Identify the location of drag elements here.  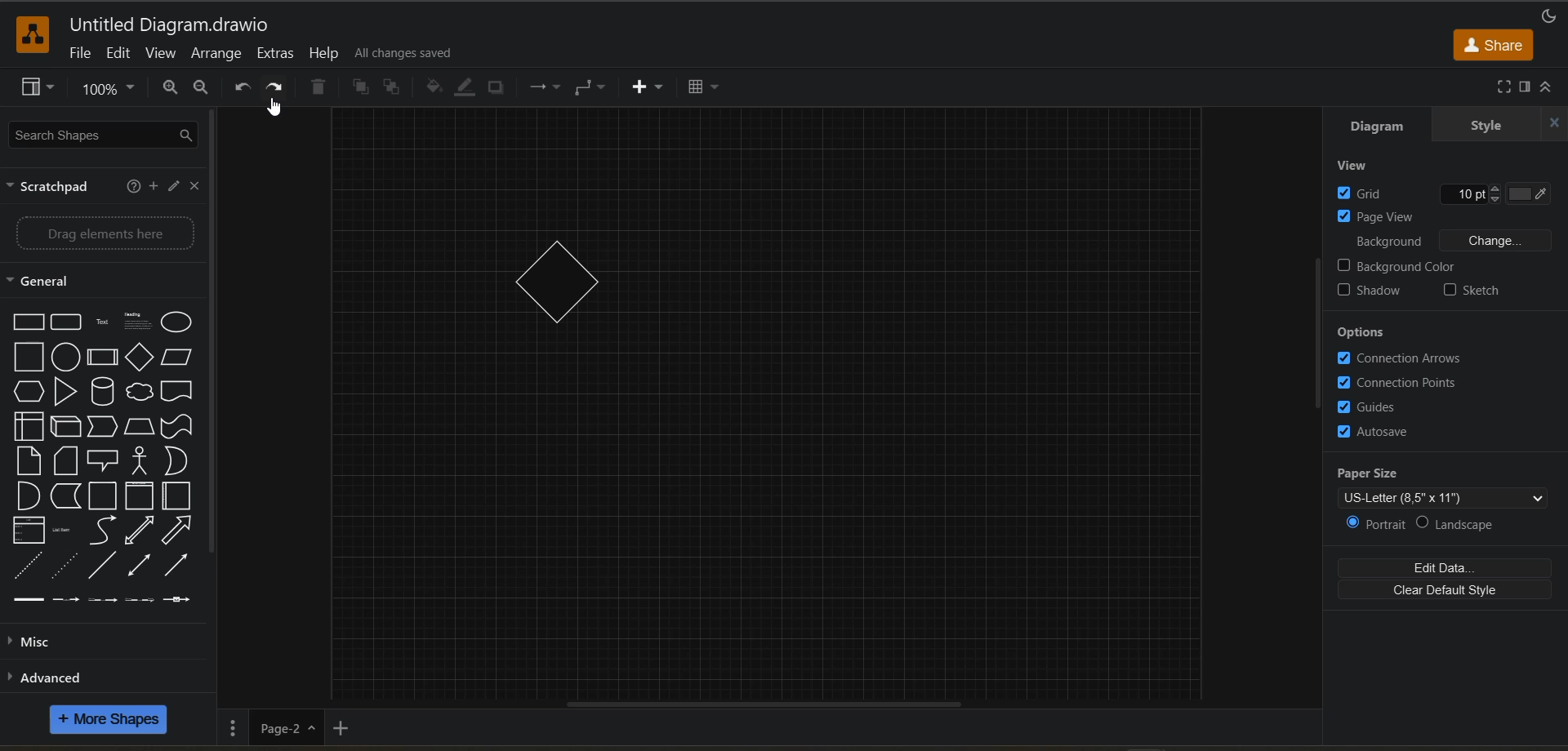
(104, 233).